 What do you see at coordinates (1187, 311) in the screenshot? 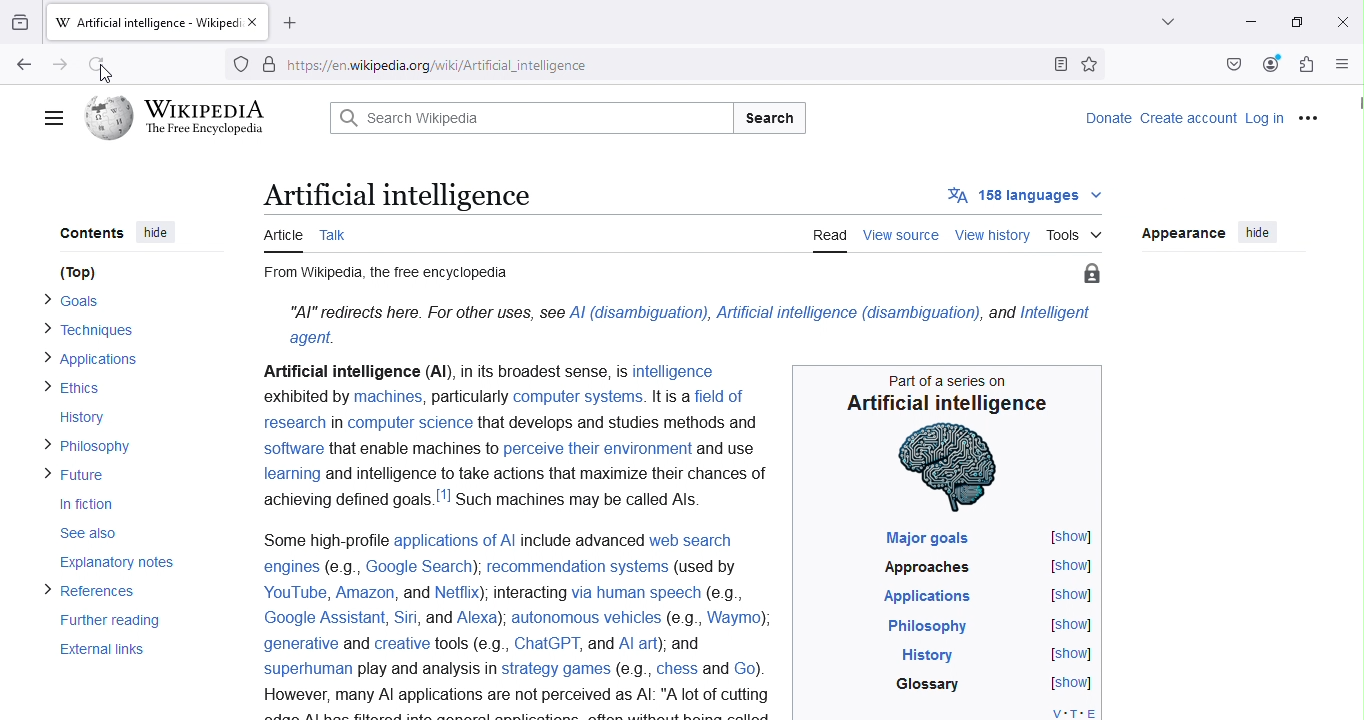
I see `Small` at bounding box center [1187, 311].